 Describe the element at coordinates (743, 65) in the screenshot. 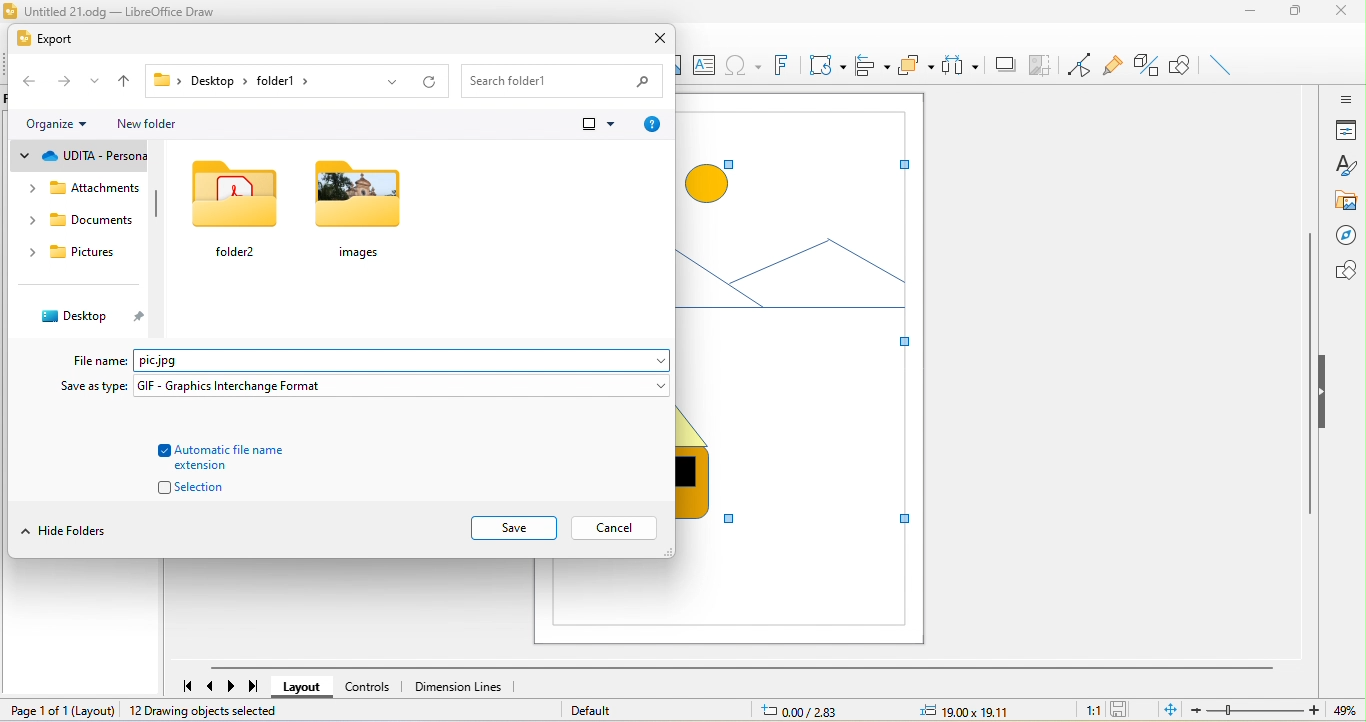

I see `special characters` at that location.